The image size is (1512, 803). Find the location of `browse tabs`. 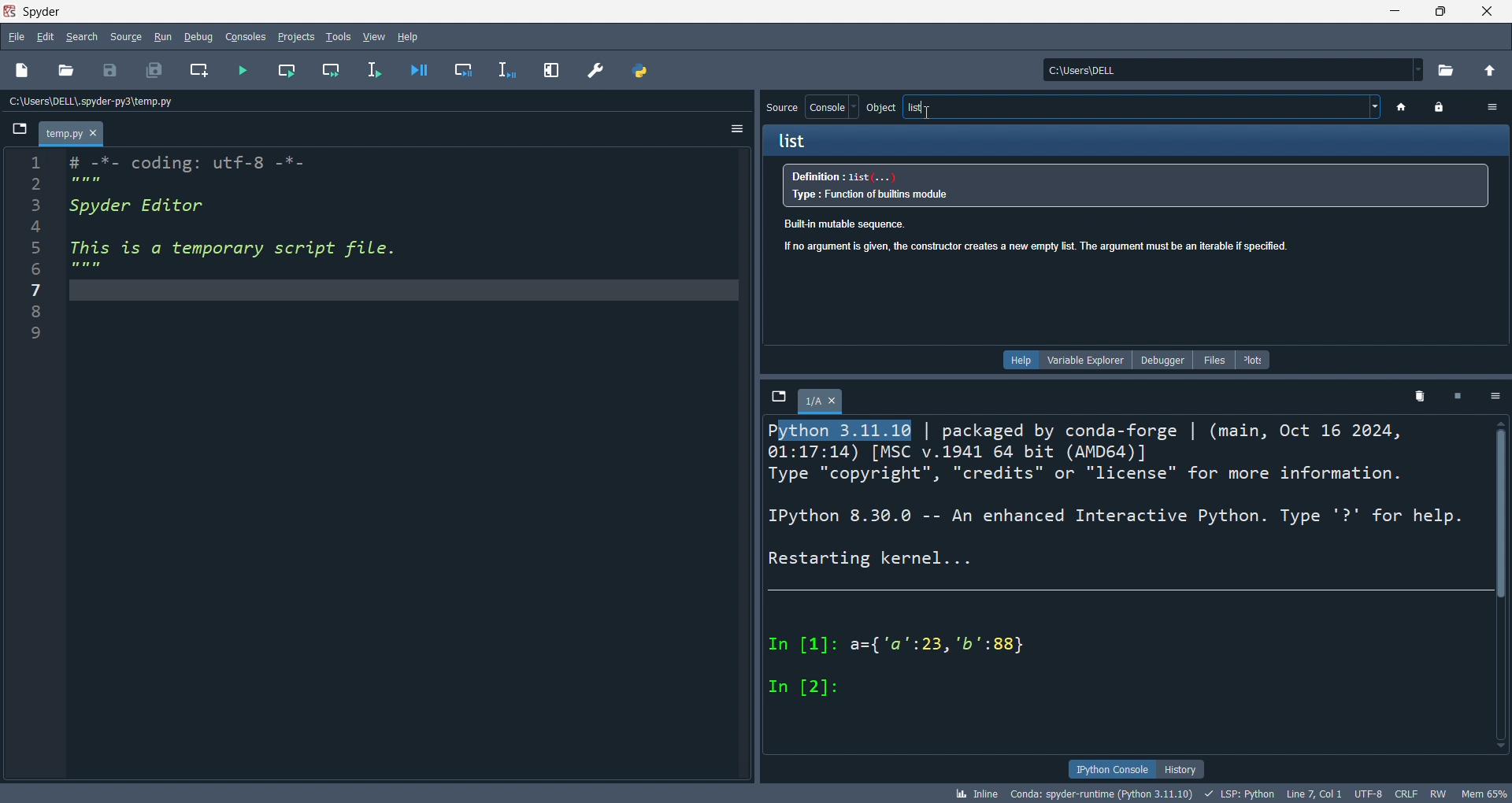

browse tabs is located at coordinates (19, 130).